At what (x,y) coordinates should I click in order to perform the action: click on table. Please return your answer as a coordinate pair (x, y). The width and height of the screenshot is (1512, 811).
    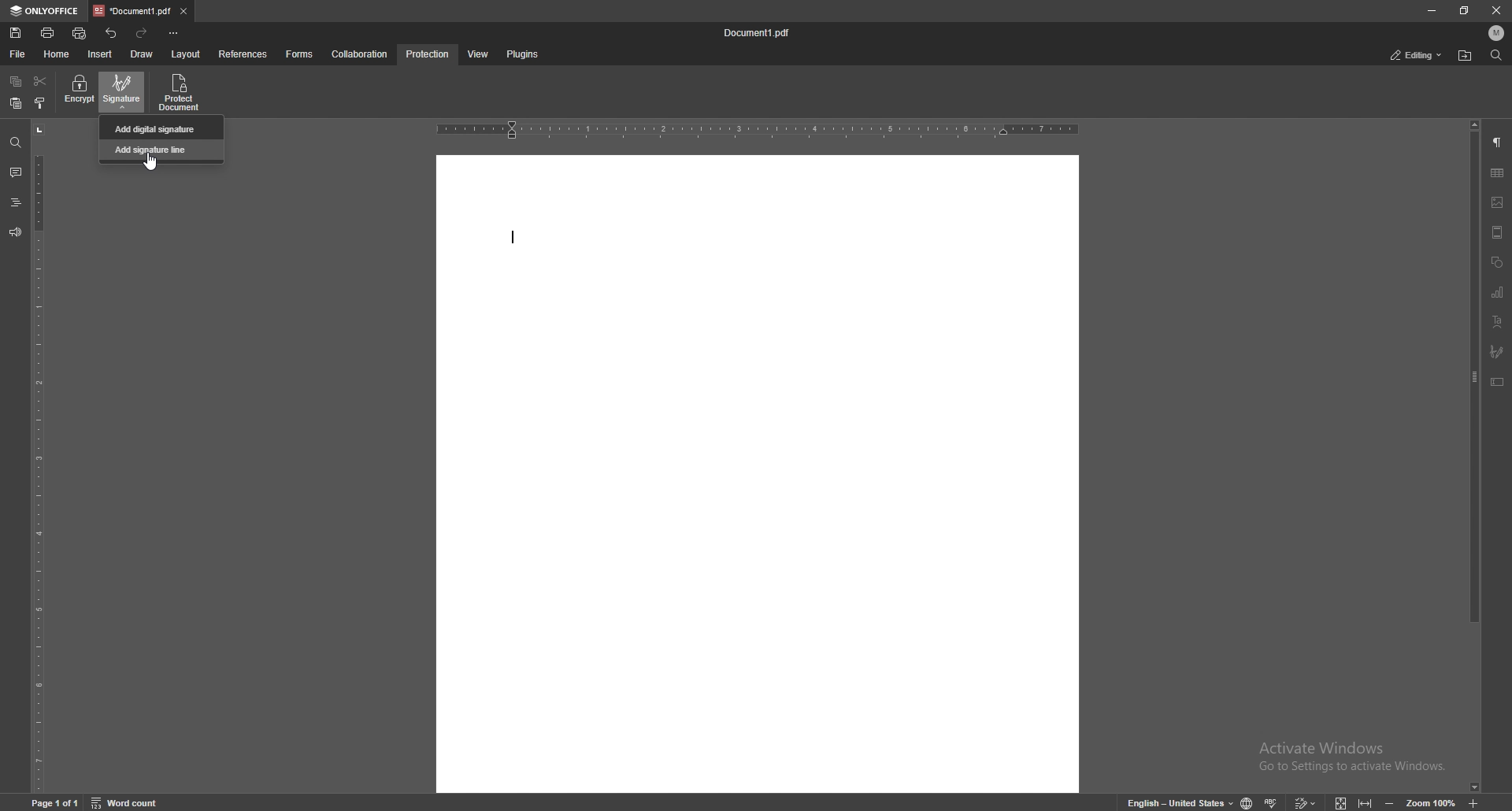
    Looking at the image, I should click on (1497, 173).